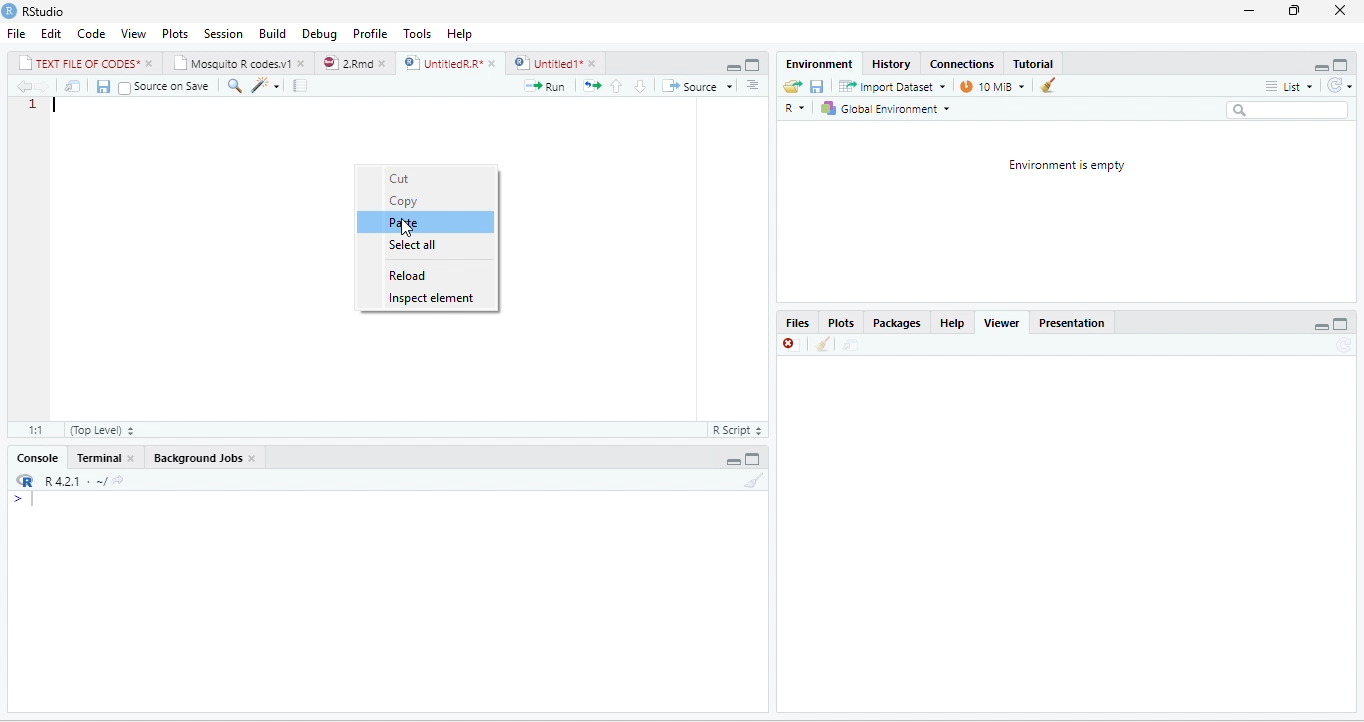 This screenshot has height=722, width=1364. Describe the element at coordinates (1032, 62) in the screenshot. I see `Tutorial` at that location.